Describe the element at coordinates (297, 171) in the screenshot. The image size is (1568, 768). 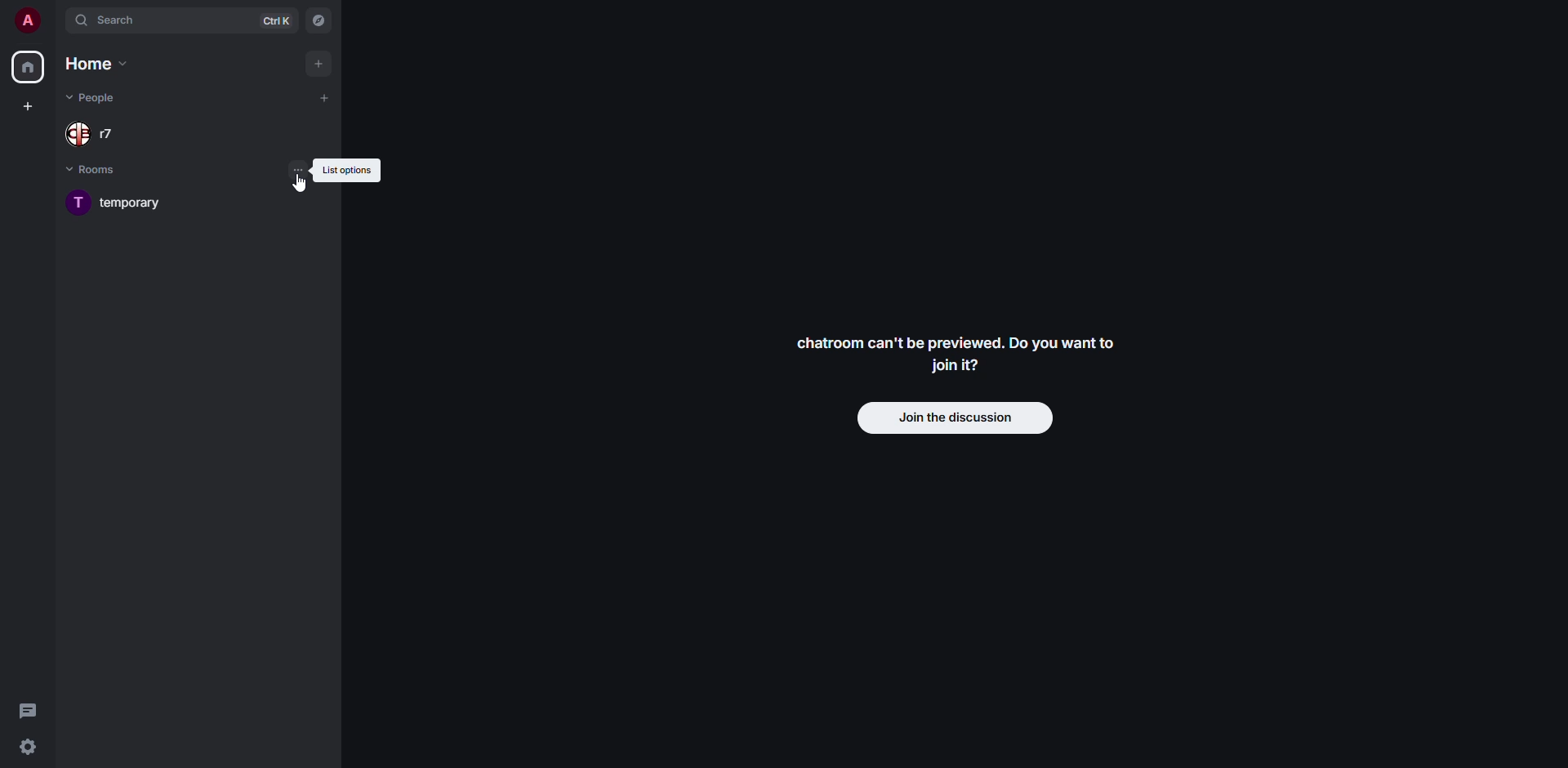
I see `list options` at that location.